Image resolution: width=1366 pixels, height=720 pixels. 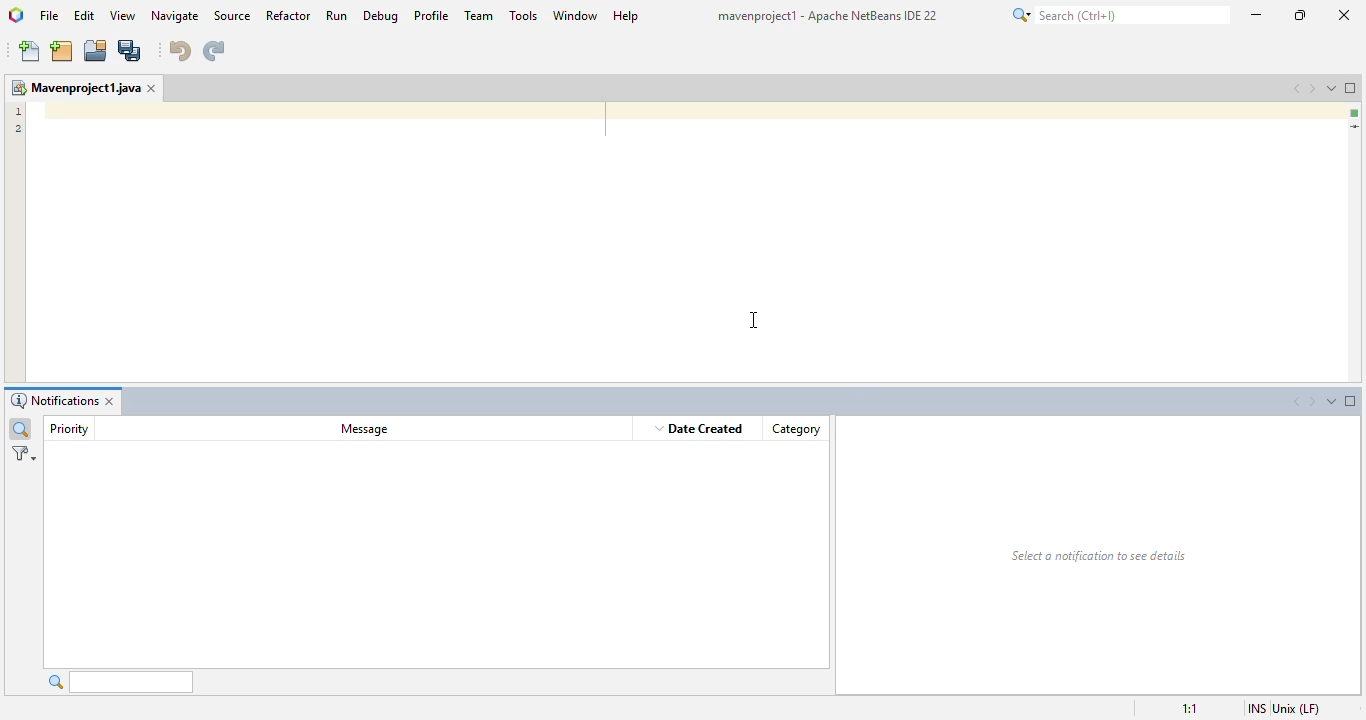 What do you see at coordinates (177, 15) in the screenshot?
I see `navigate` at bounding box center [177, 15].